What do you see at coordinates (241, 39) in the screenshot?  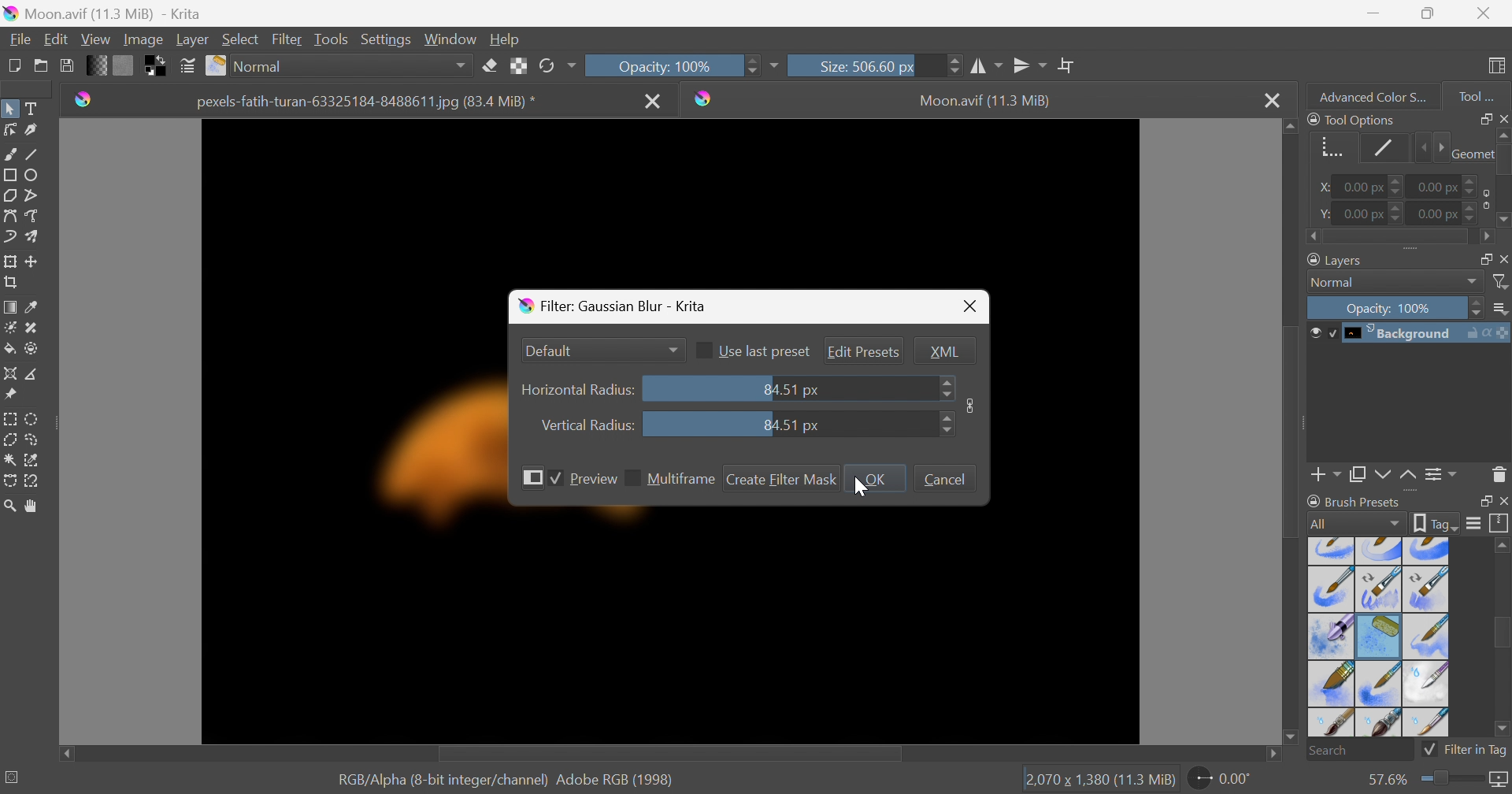 I see `Select` at bounding box center [241, 39].